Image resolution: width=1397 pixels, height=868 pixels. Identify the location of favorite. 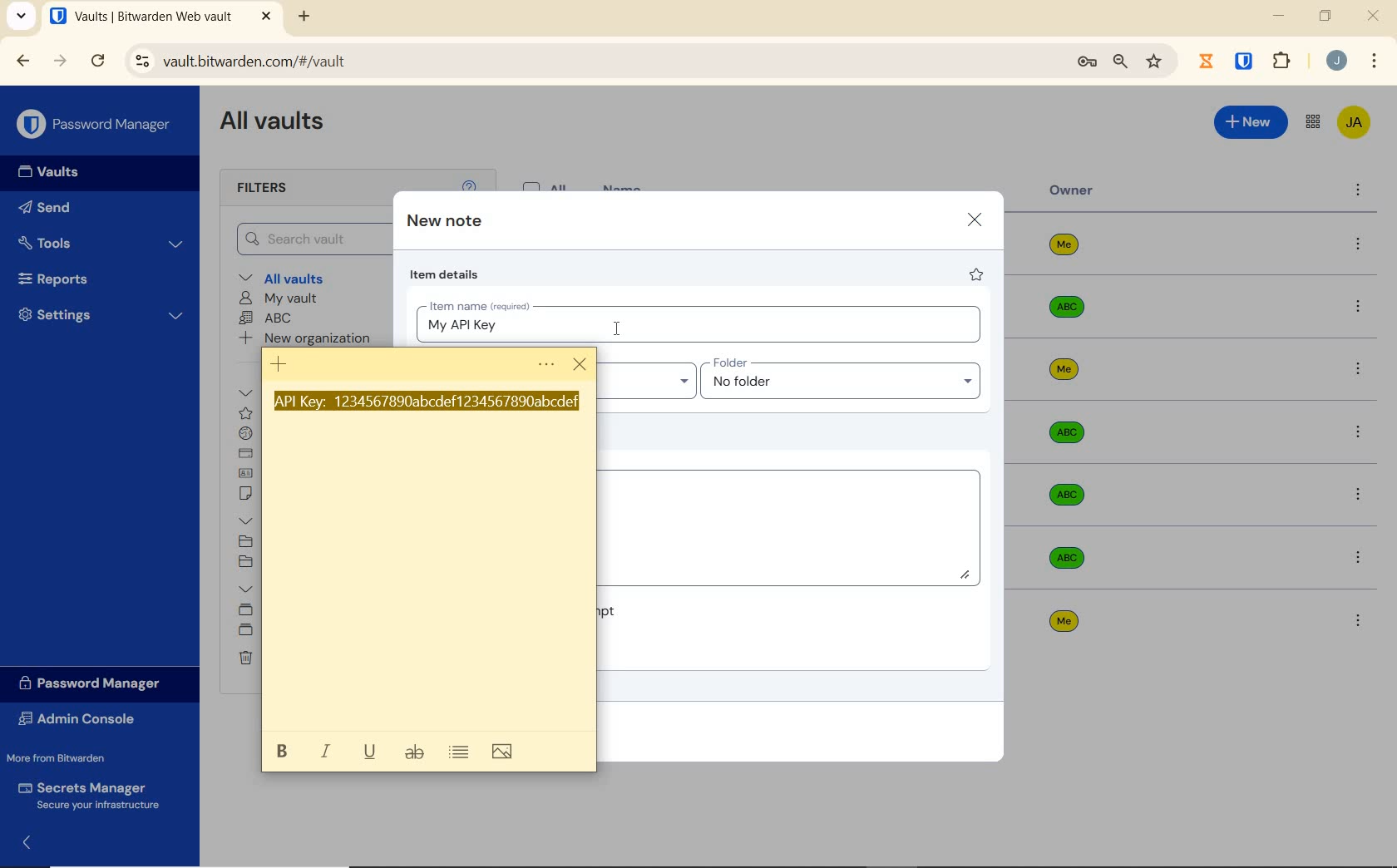
(977, 277).